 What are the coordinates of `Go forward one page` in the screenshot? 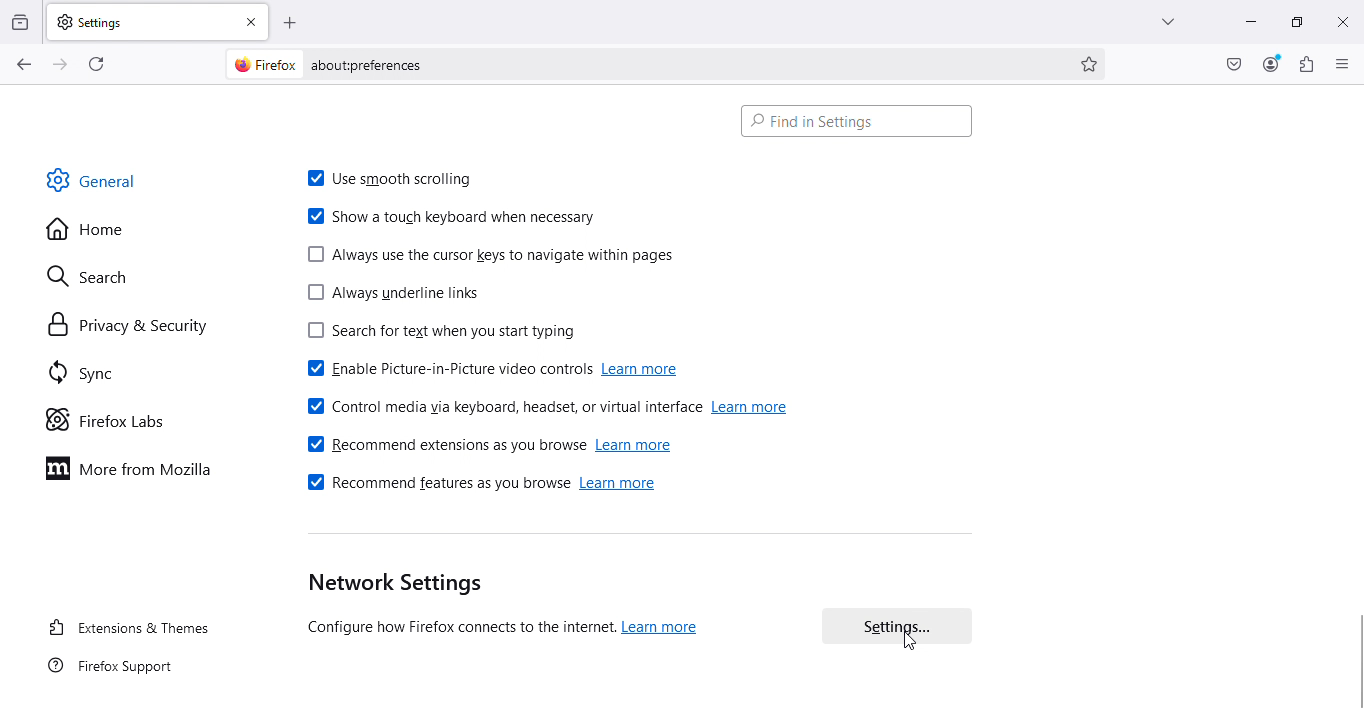 It's located at (58, 63).